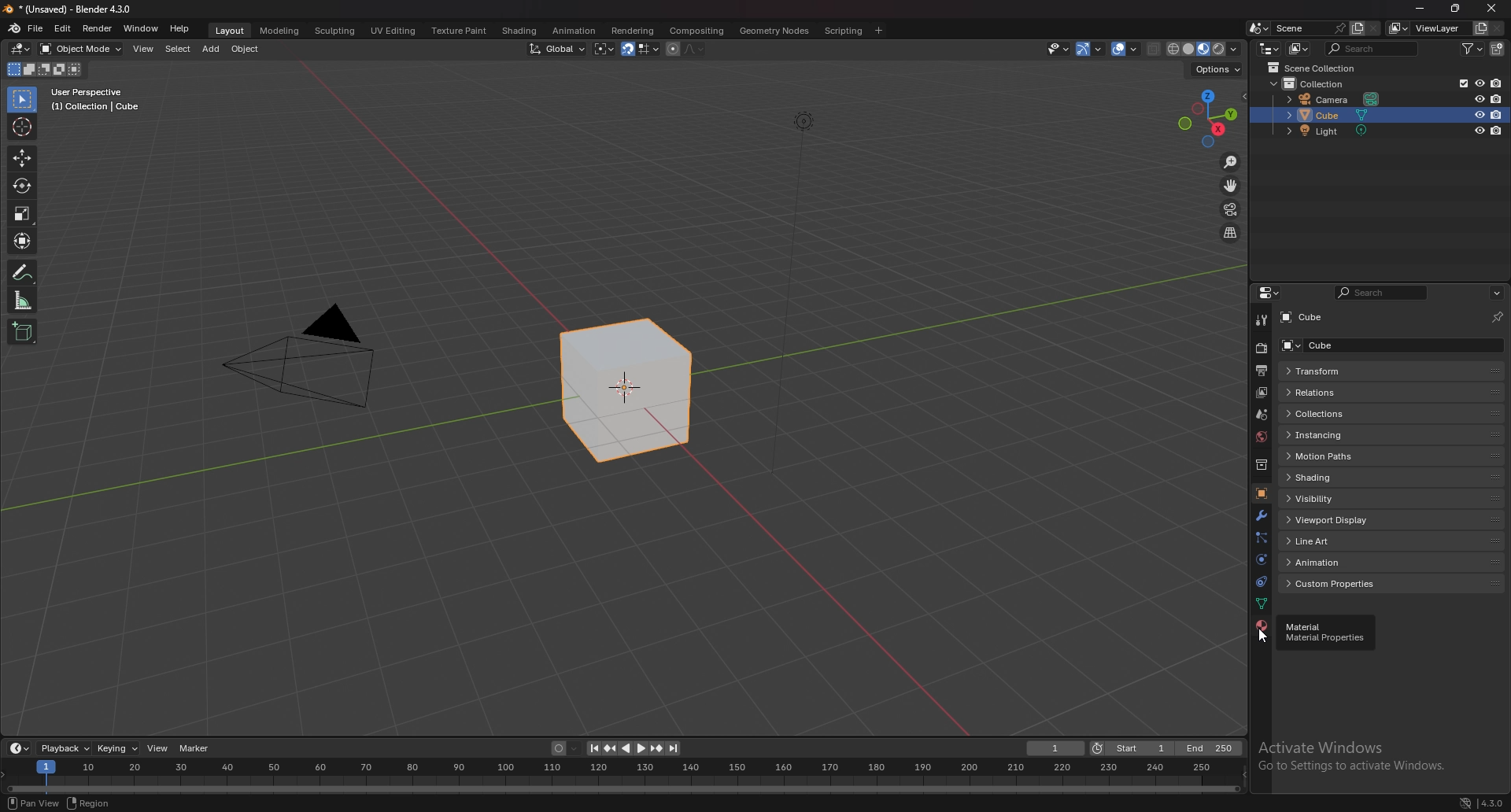 This screenshot has width=1511, height=812. What do you see at coordinates (1478, 115) in the screenshot?
I see `hide in viewport` at bounding box center [1478, 115].